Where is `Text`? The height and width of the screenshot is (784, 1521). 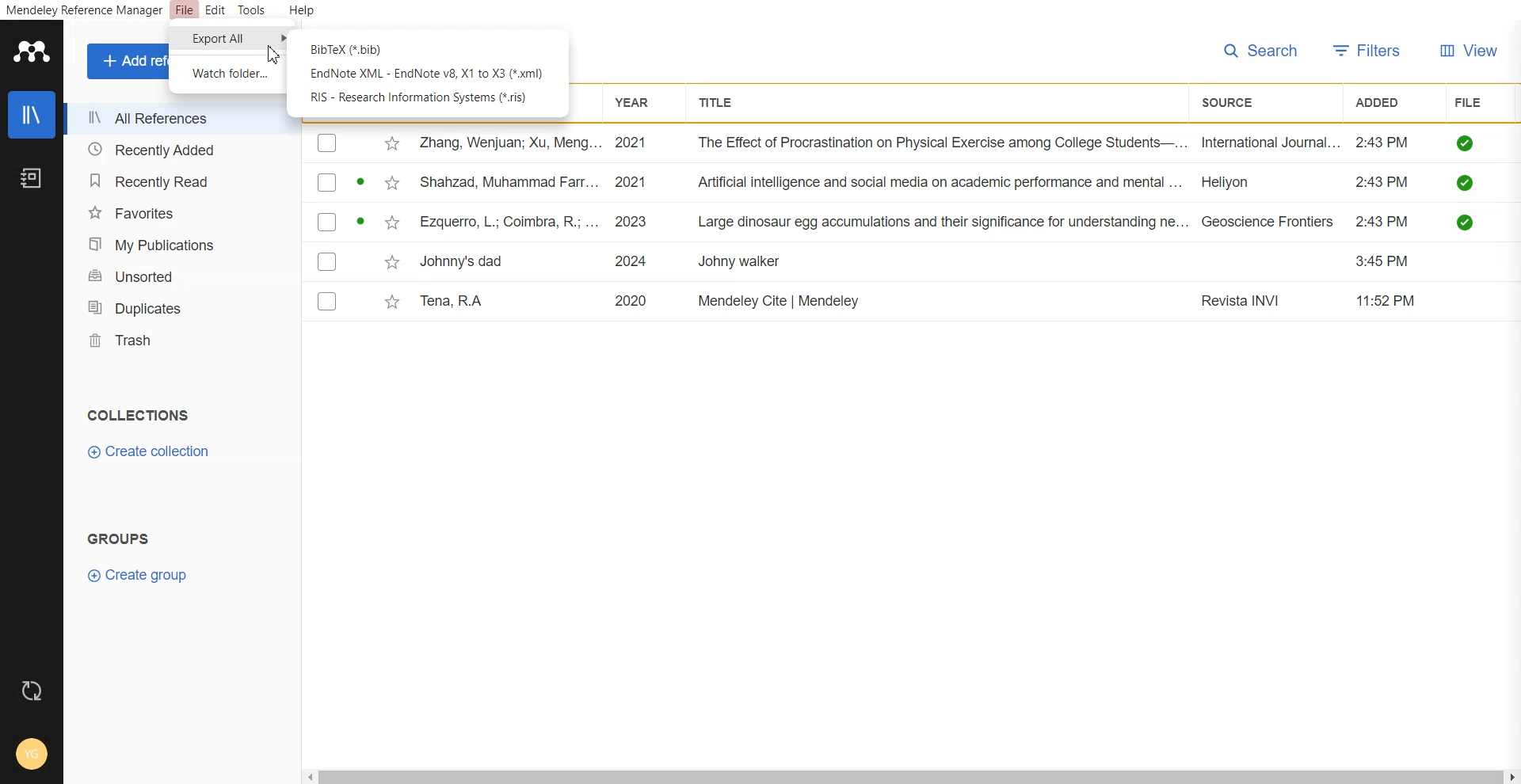 Text is located at coordinates (136, 414).